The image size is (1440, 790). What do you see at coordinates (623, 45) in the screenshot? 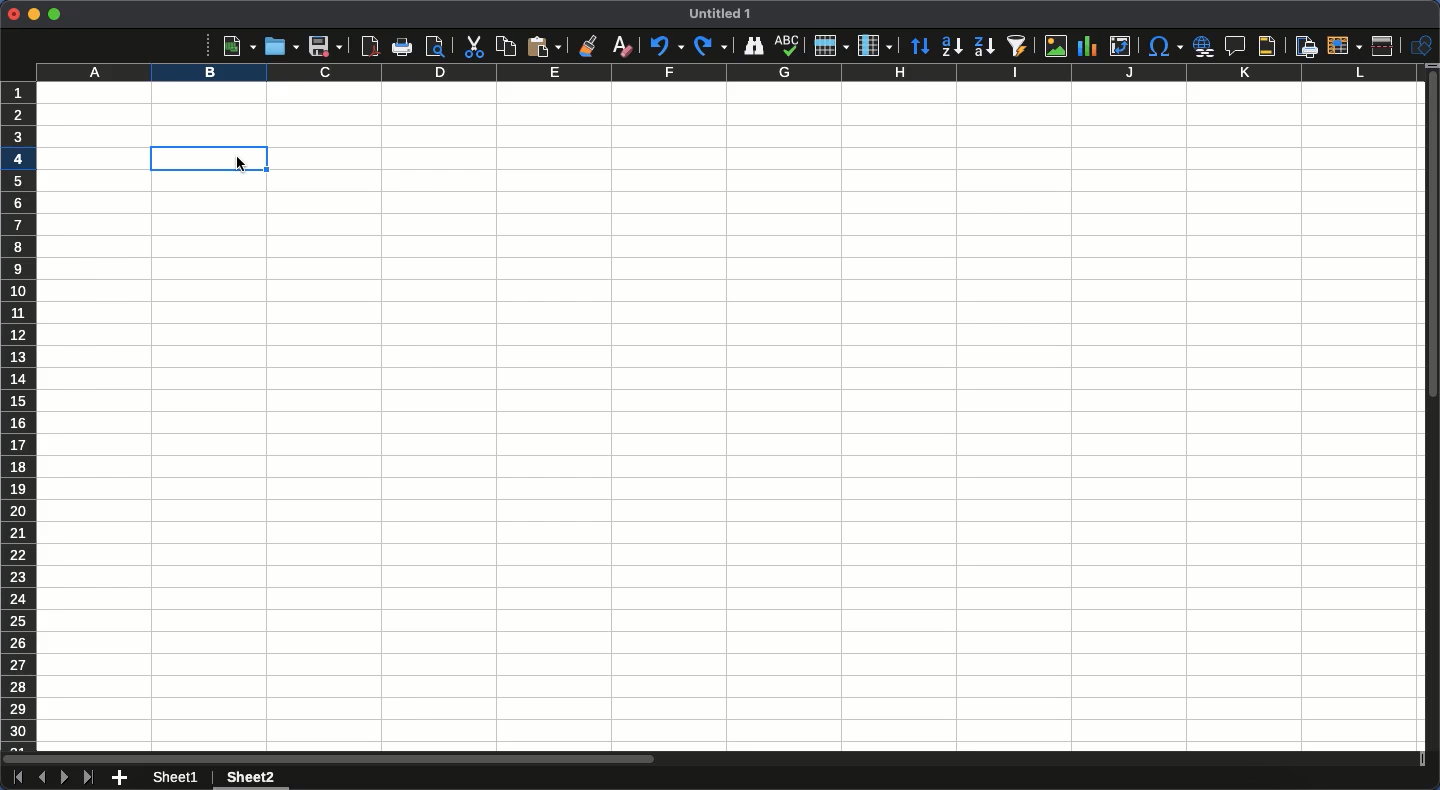
I see `Clear formatting` at bounding box center [623, 45].